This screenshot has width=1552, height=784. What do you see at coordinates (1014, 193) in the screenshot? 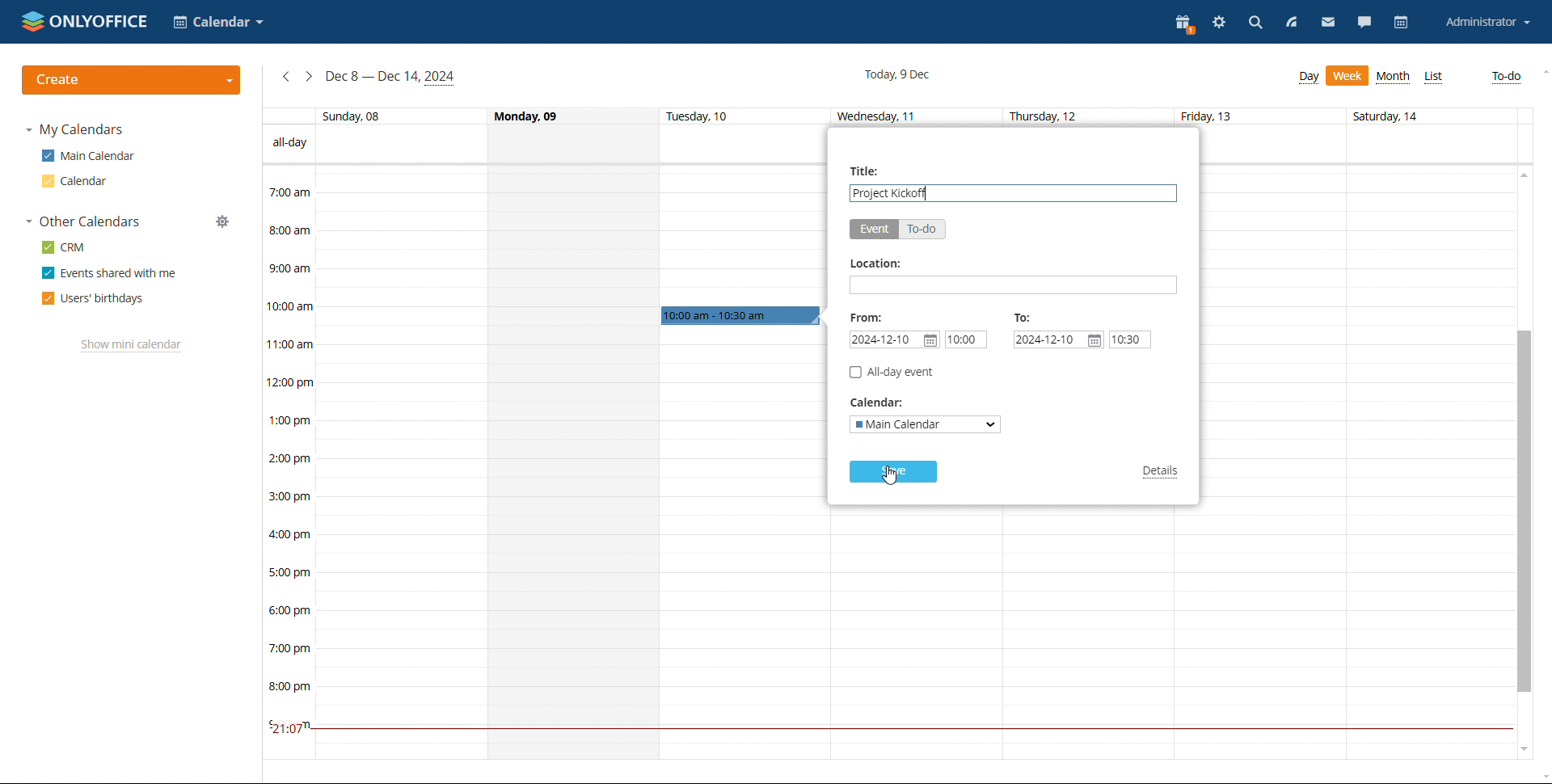
I see `title` at bounding box center [1014, 193].